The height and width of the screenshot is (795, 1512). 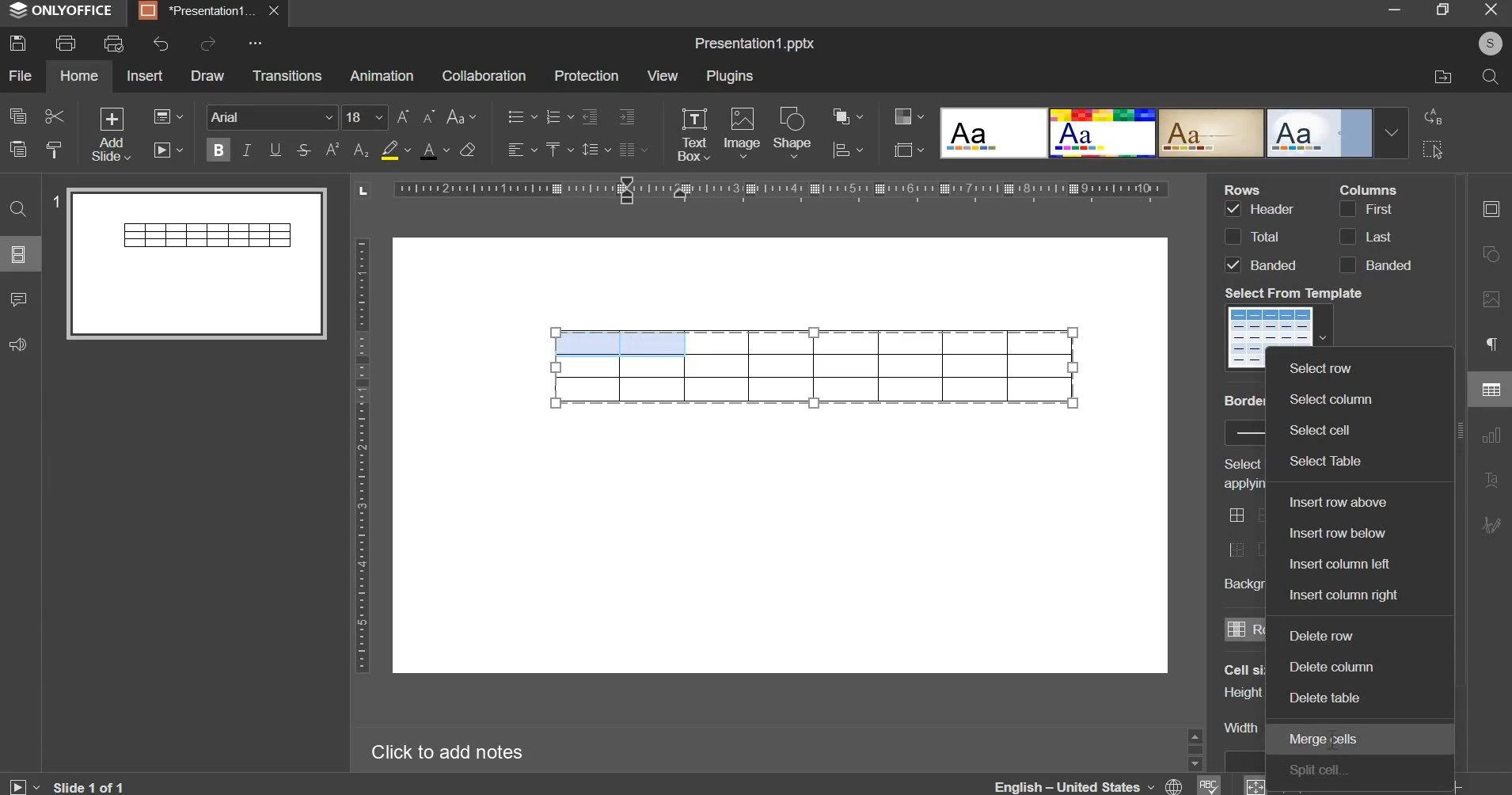 What do you see at coordinates (908, 149) in the screenshot?
I see `slide size` at bounding box center [908, 149].